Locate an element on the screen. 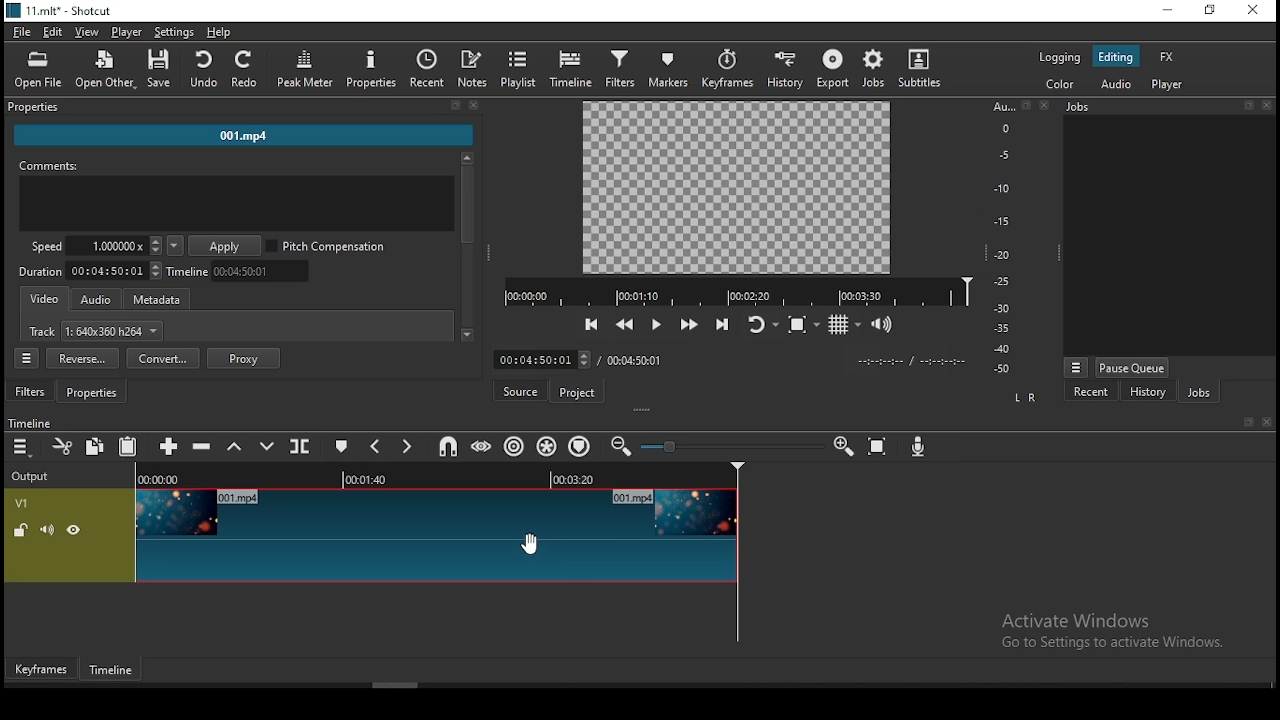 The width and height of the screenshot is (1280, 720). audio scale is located at coordinates (1017, 238).